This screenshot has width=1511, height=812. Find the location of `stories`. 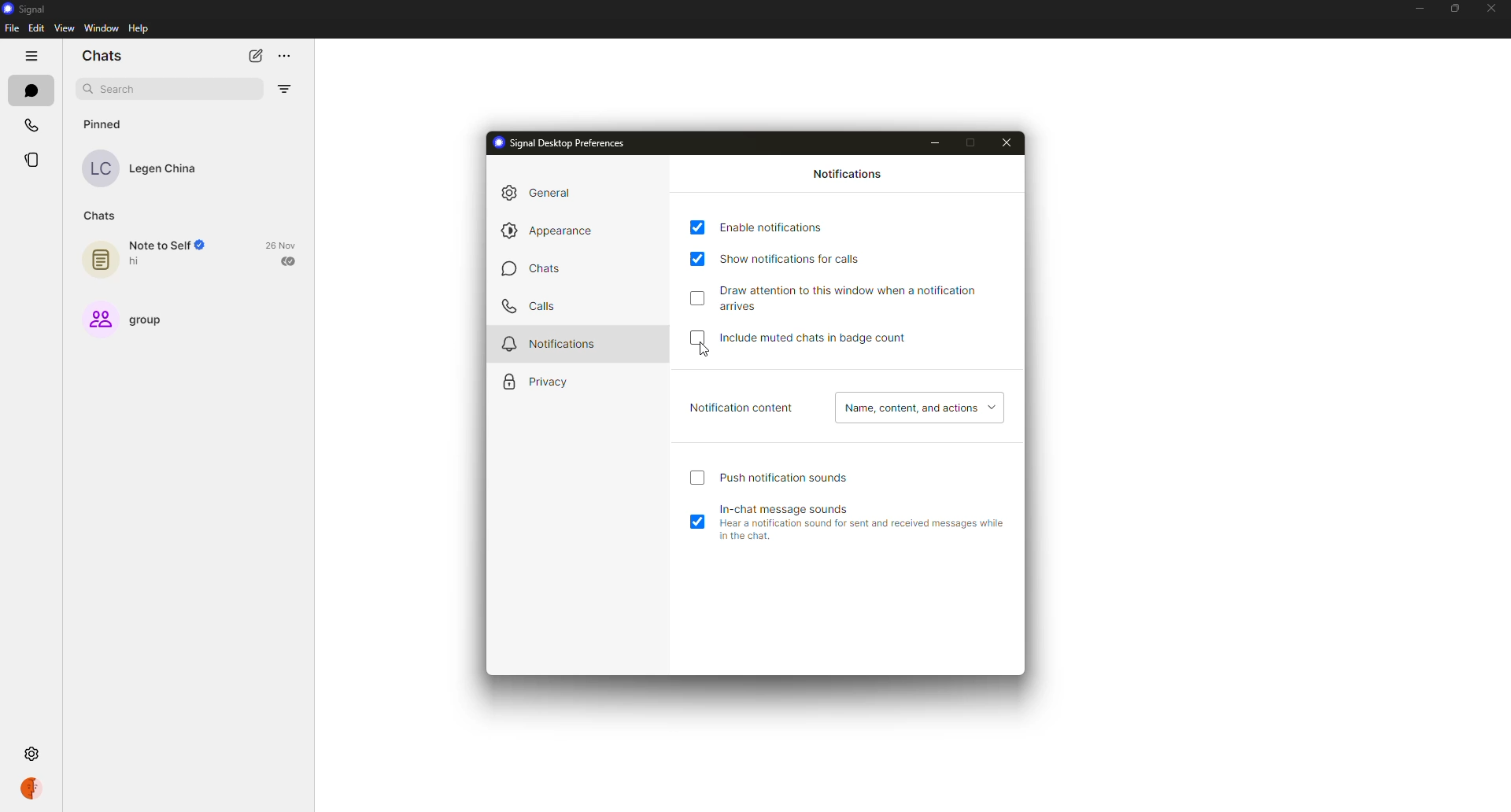

stories is located at coordinates (34, 161).